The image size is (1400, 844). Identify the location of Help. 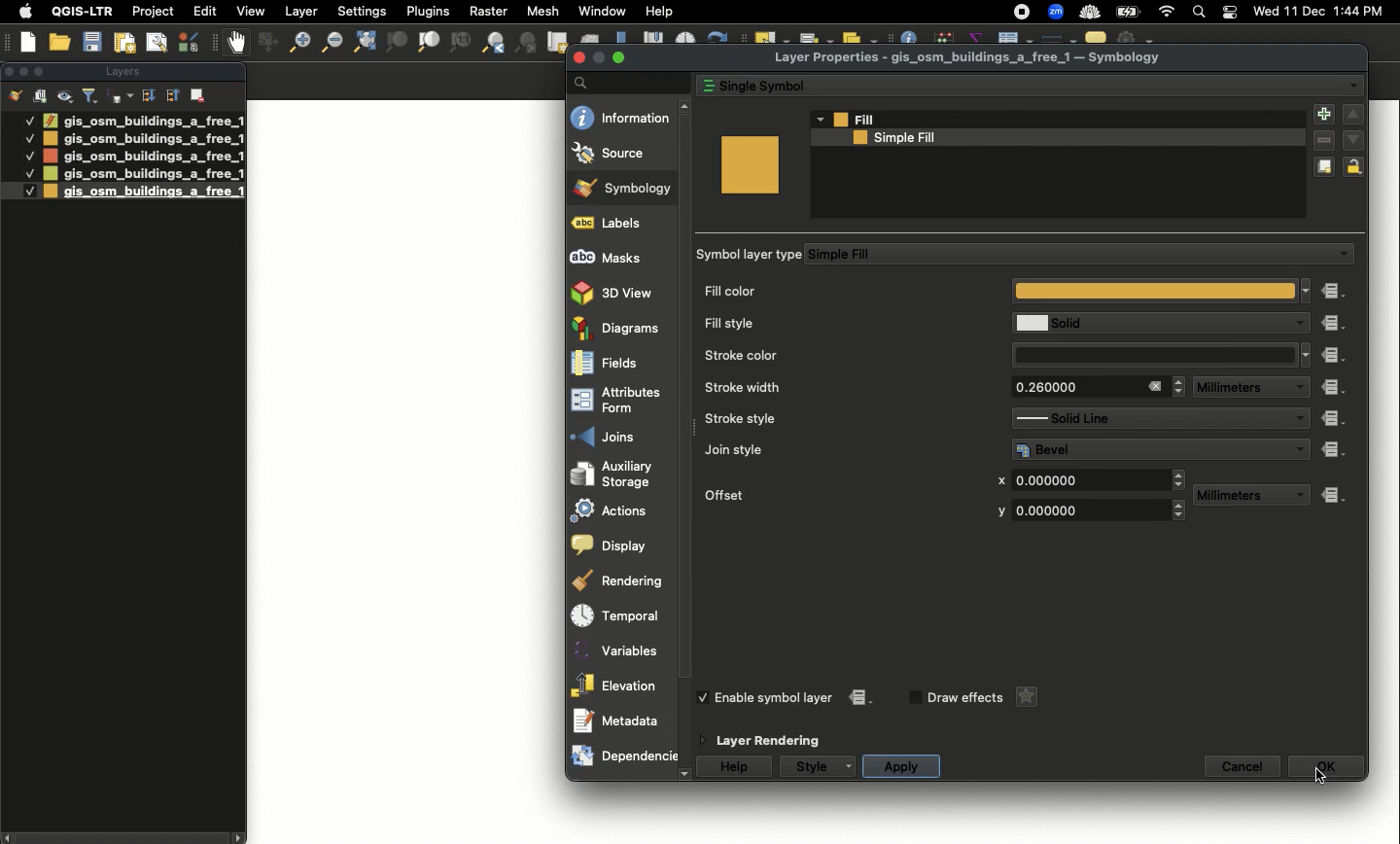
(736, 767).